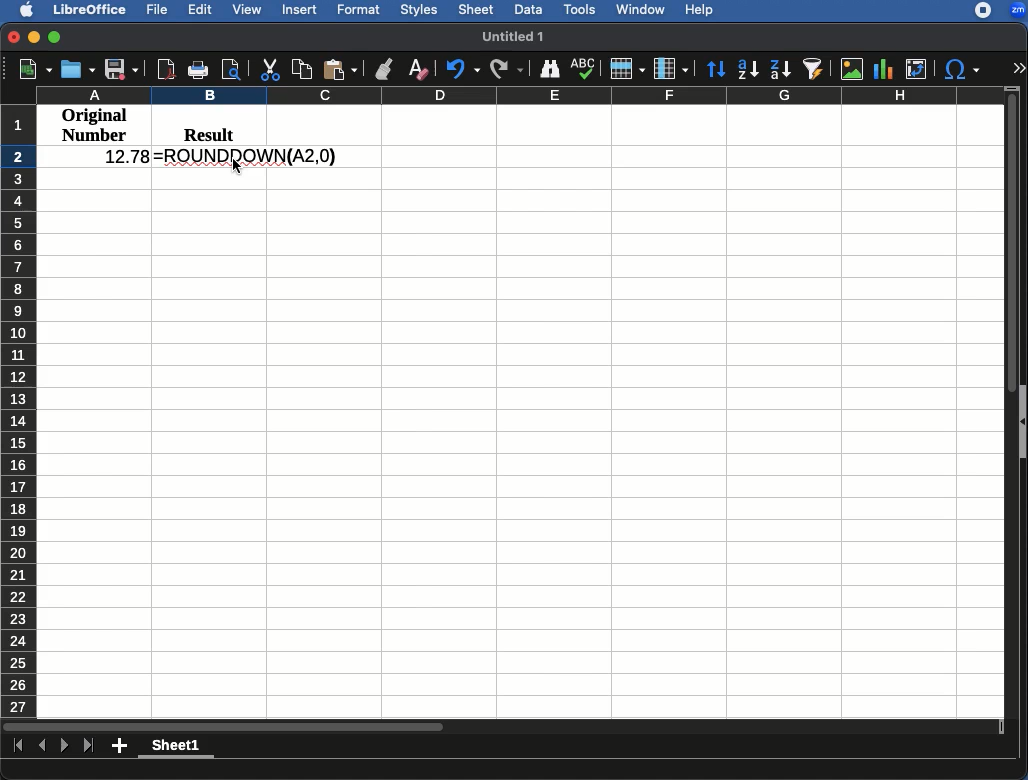  What do you see at coordinates (507, 70) in the screenshot?
I see `Redo` at bounding box center [507, 70].